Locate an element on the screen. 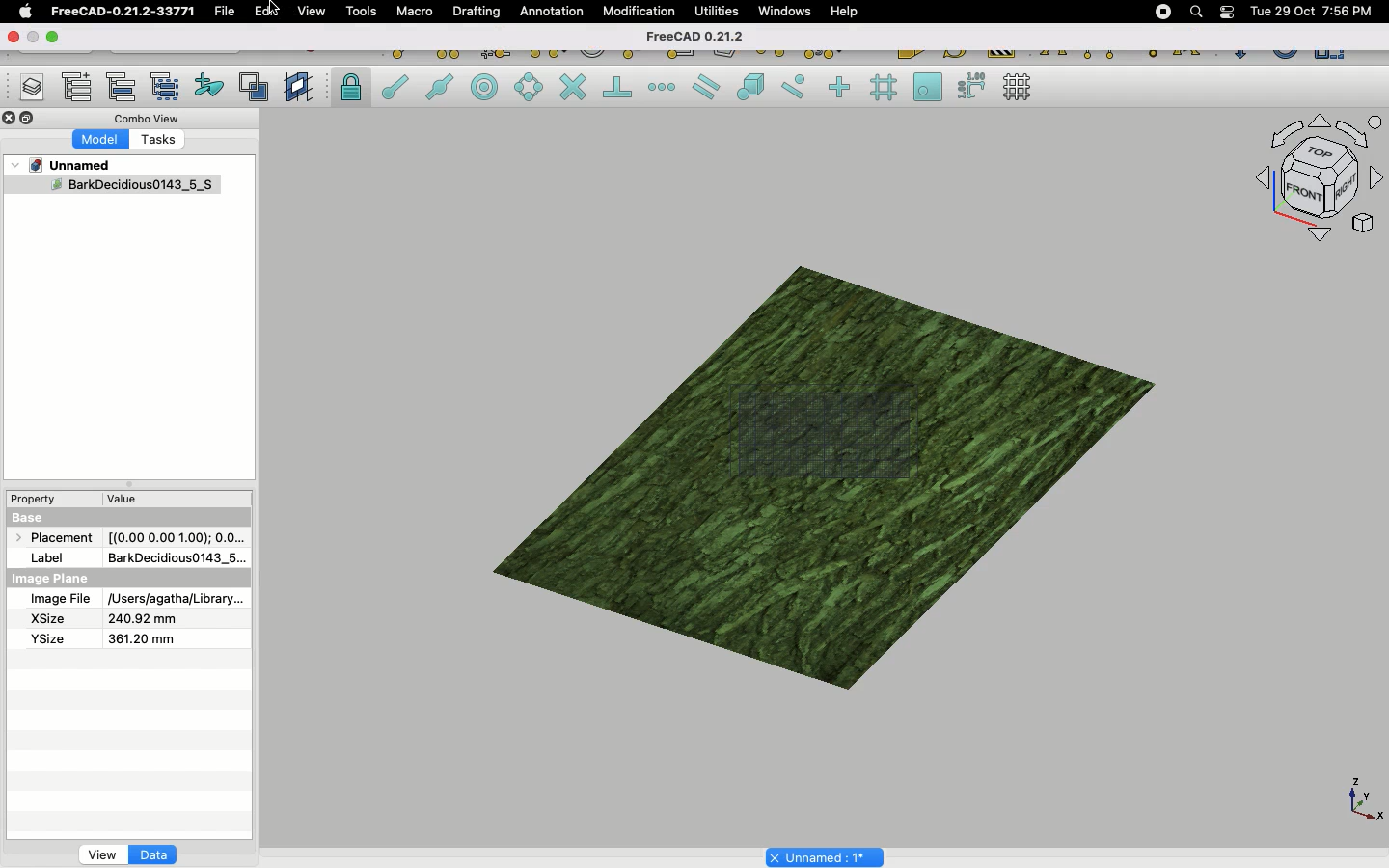  open is located at coordinates (57, 38).